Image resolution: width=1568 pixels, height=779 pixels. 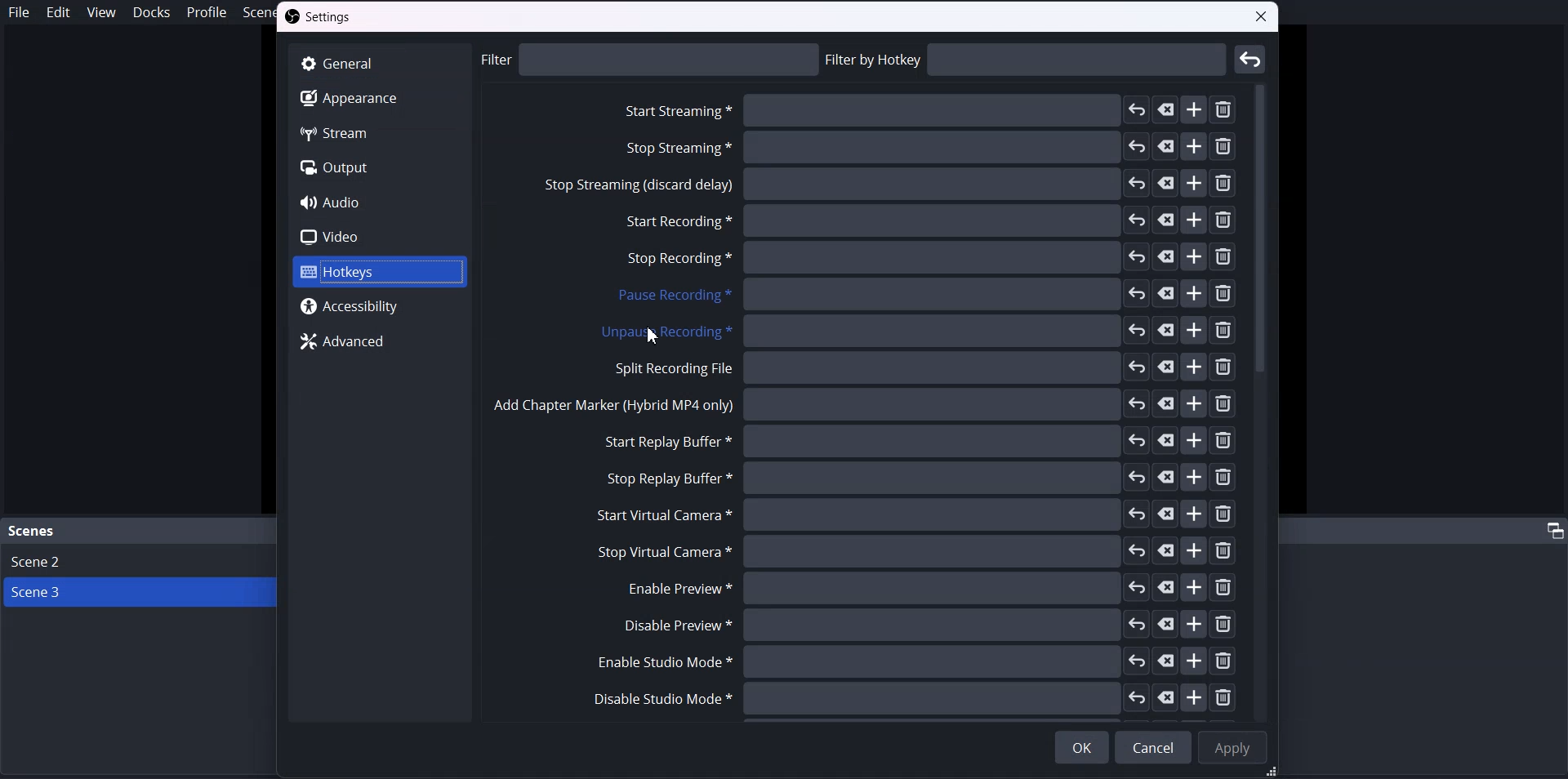 I want to click on Apperance, so click(x=377, y=97).